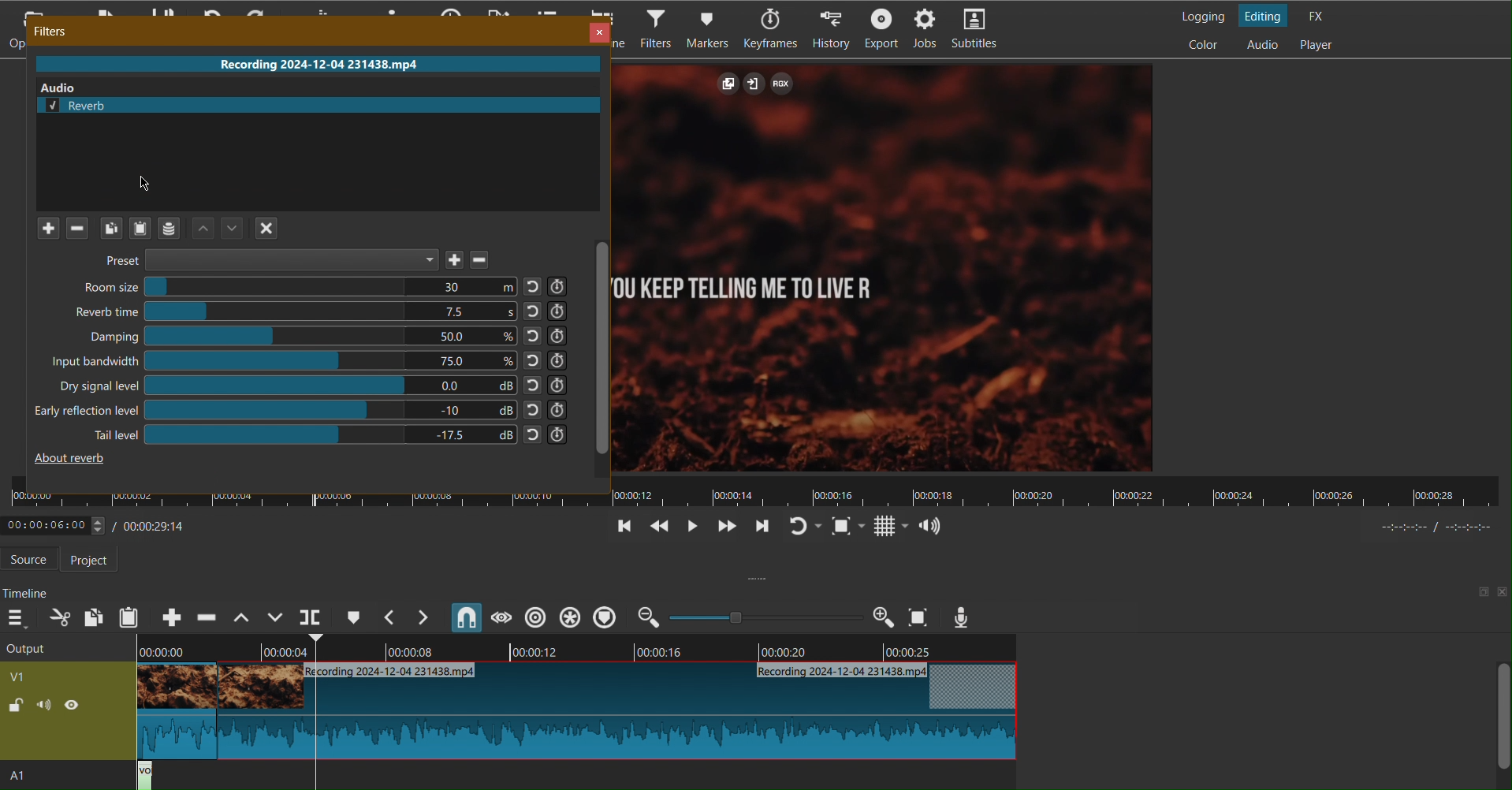 The image size is (1512, 790). I want to click on Editing, so click(1266, 15).